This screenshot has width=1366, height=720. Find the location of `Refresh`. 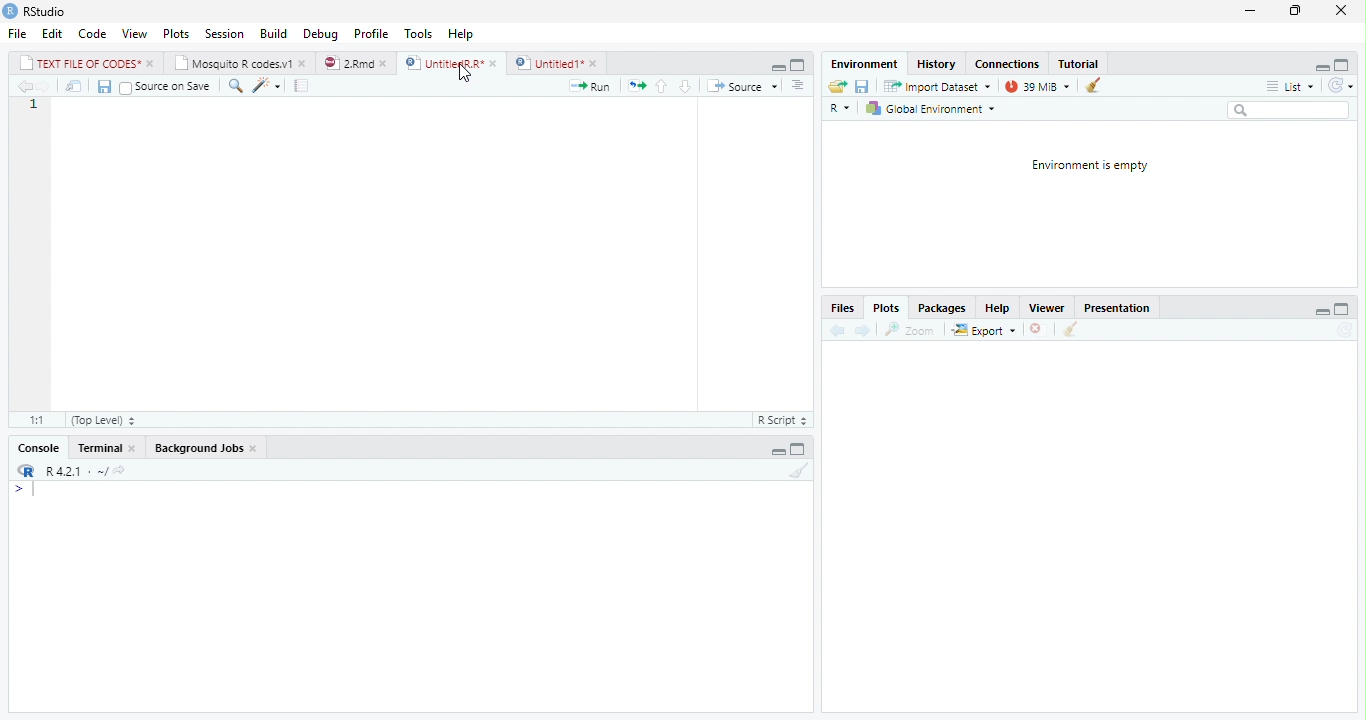

Refresh is located at coordinates (1340, 84).